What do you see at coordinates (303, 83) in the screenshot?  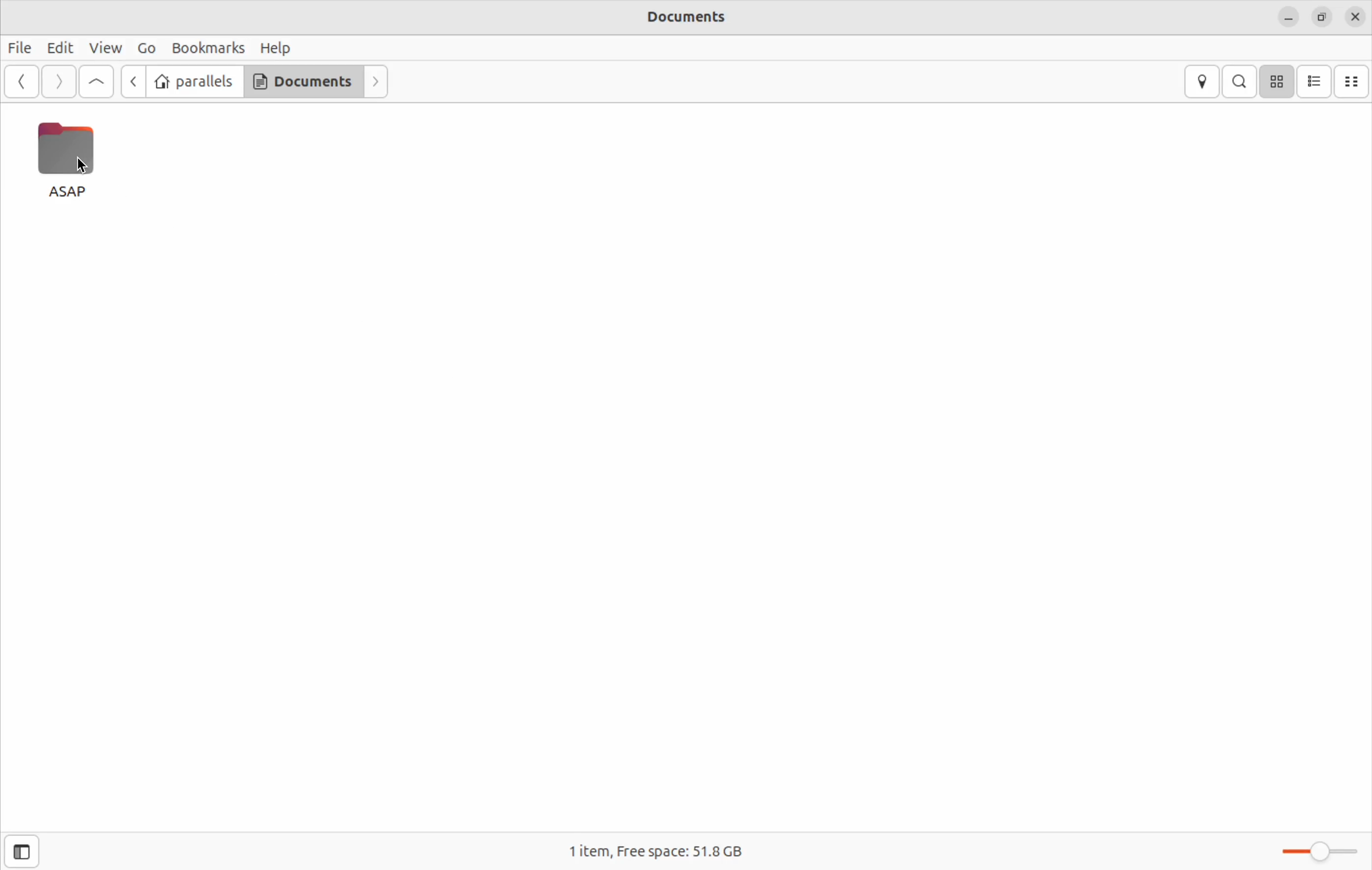 I see `Documents` at bounding box center [303, 83].